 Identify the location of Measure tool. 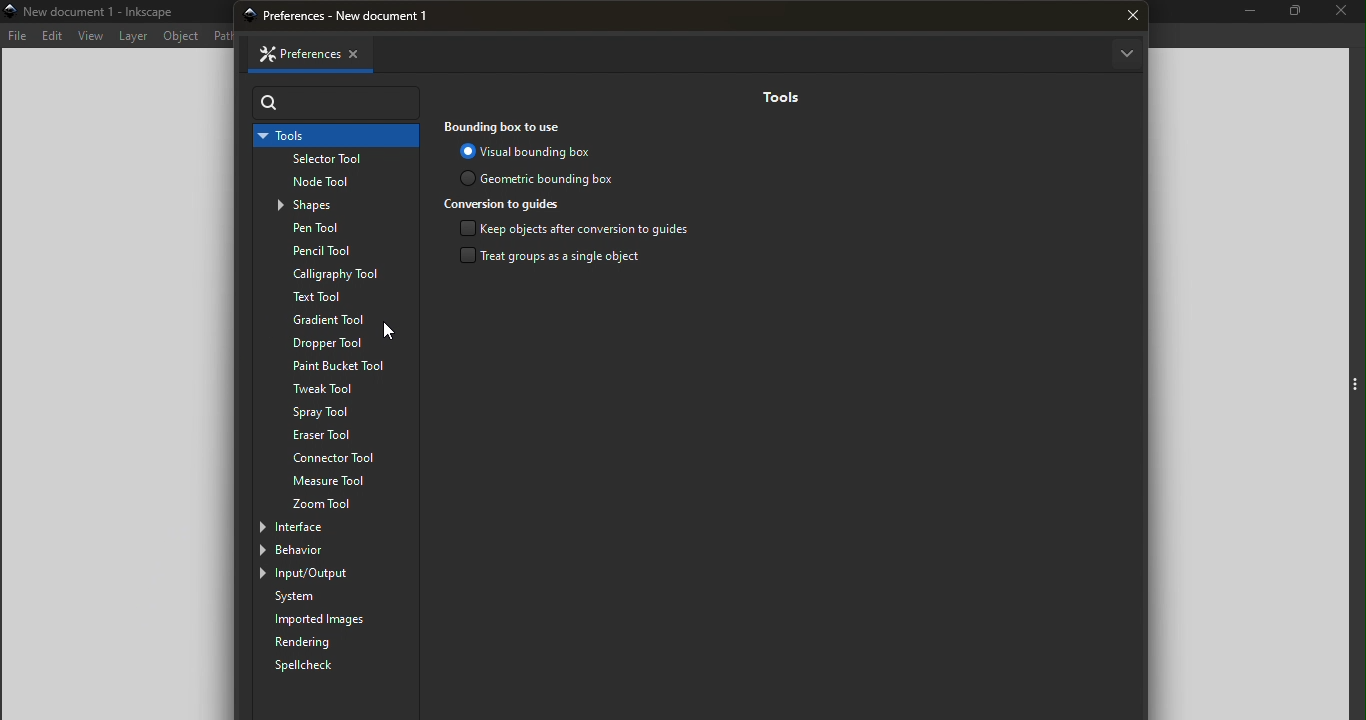
(336, 481).